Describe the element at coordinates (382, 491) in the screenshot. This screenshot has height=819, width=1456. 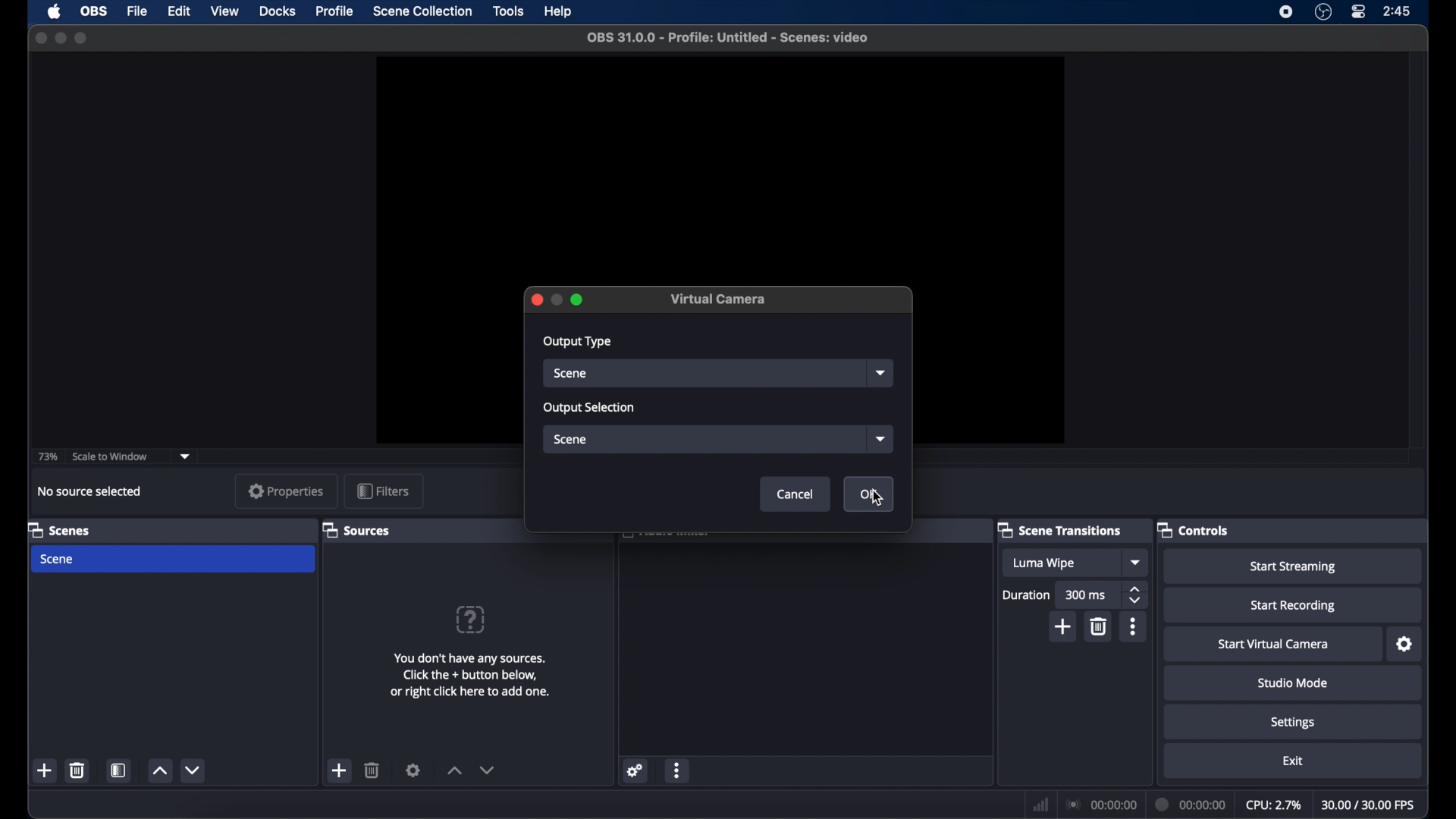
I see `filters` at that location.